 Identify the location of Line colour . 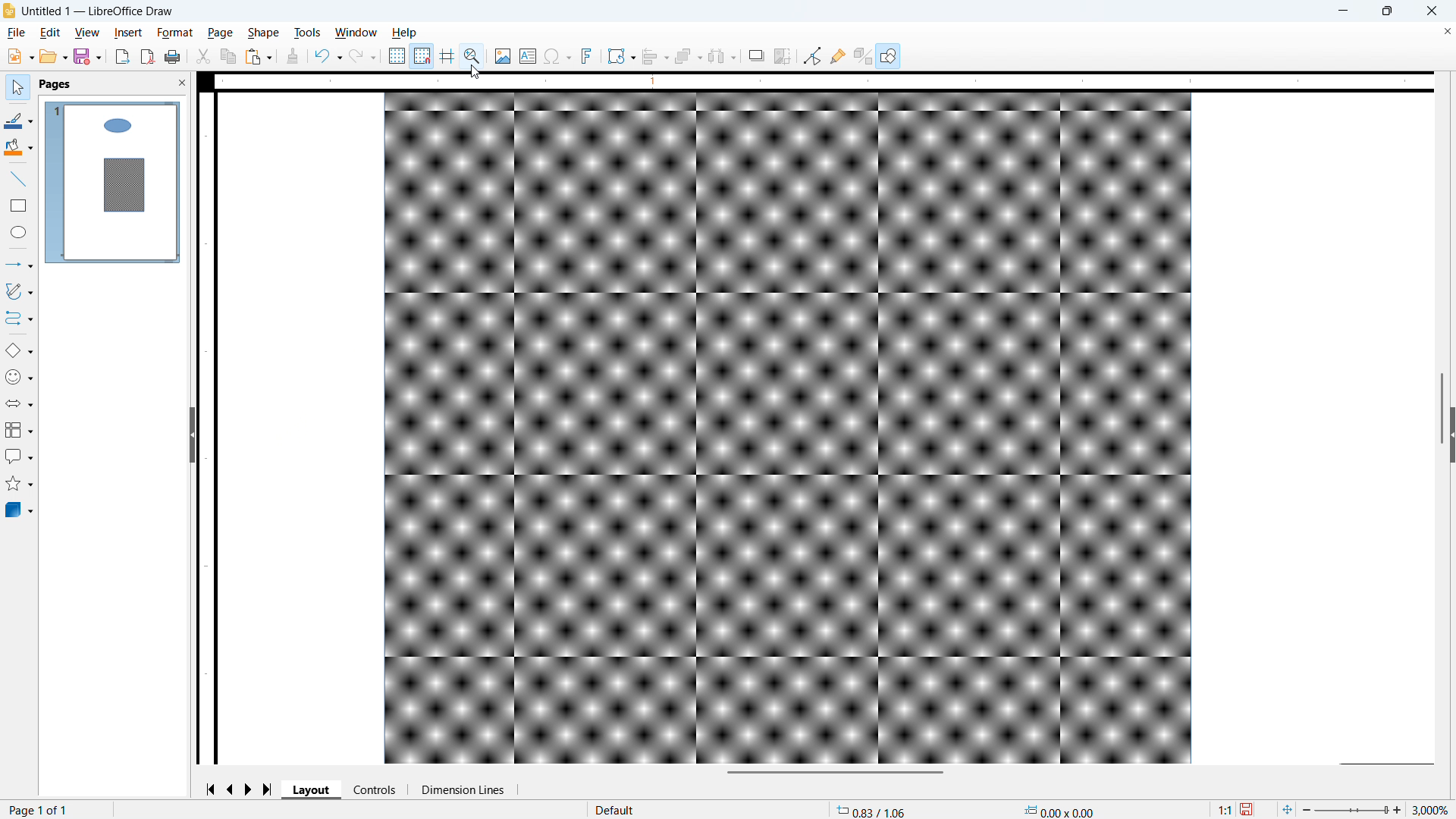
(19, 121).